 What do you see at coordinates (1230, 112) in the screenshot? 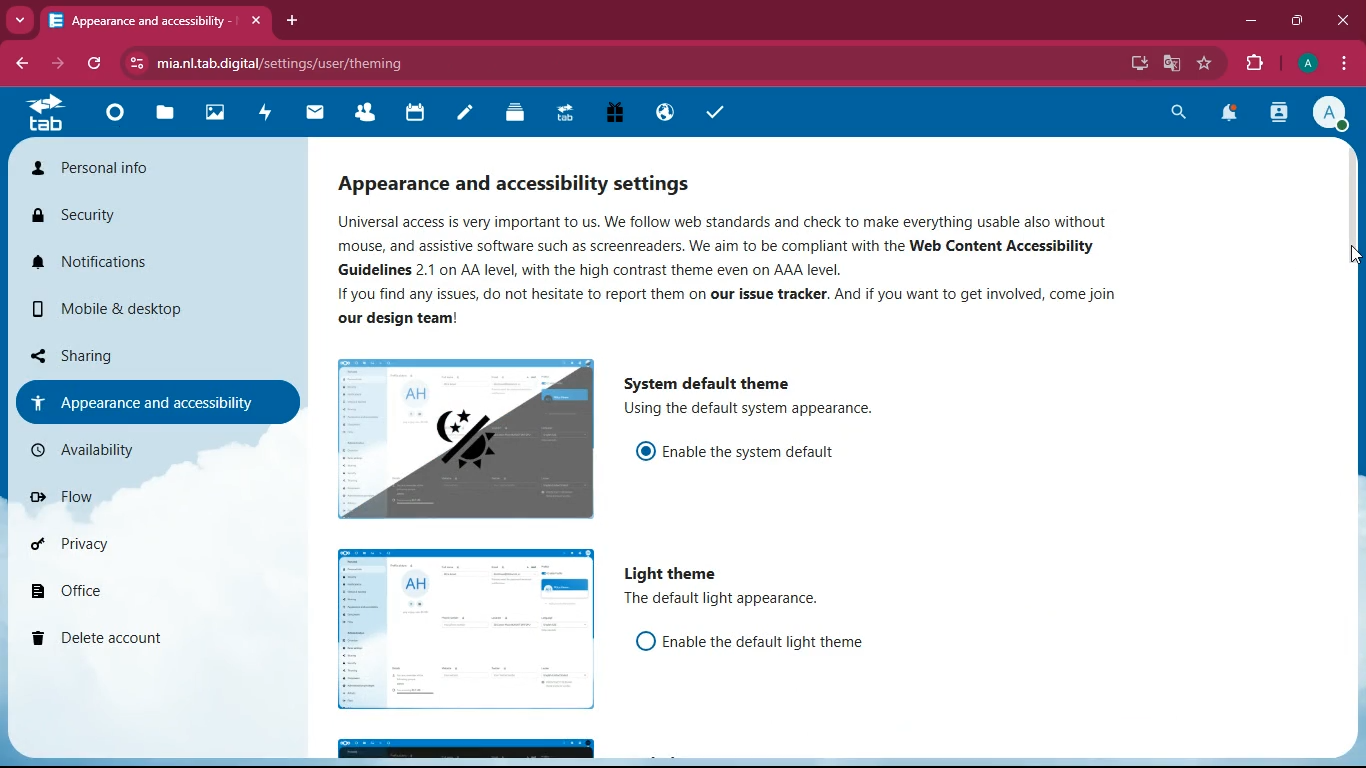
I see `notifications` at bounding box center [1230, 112].